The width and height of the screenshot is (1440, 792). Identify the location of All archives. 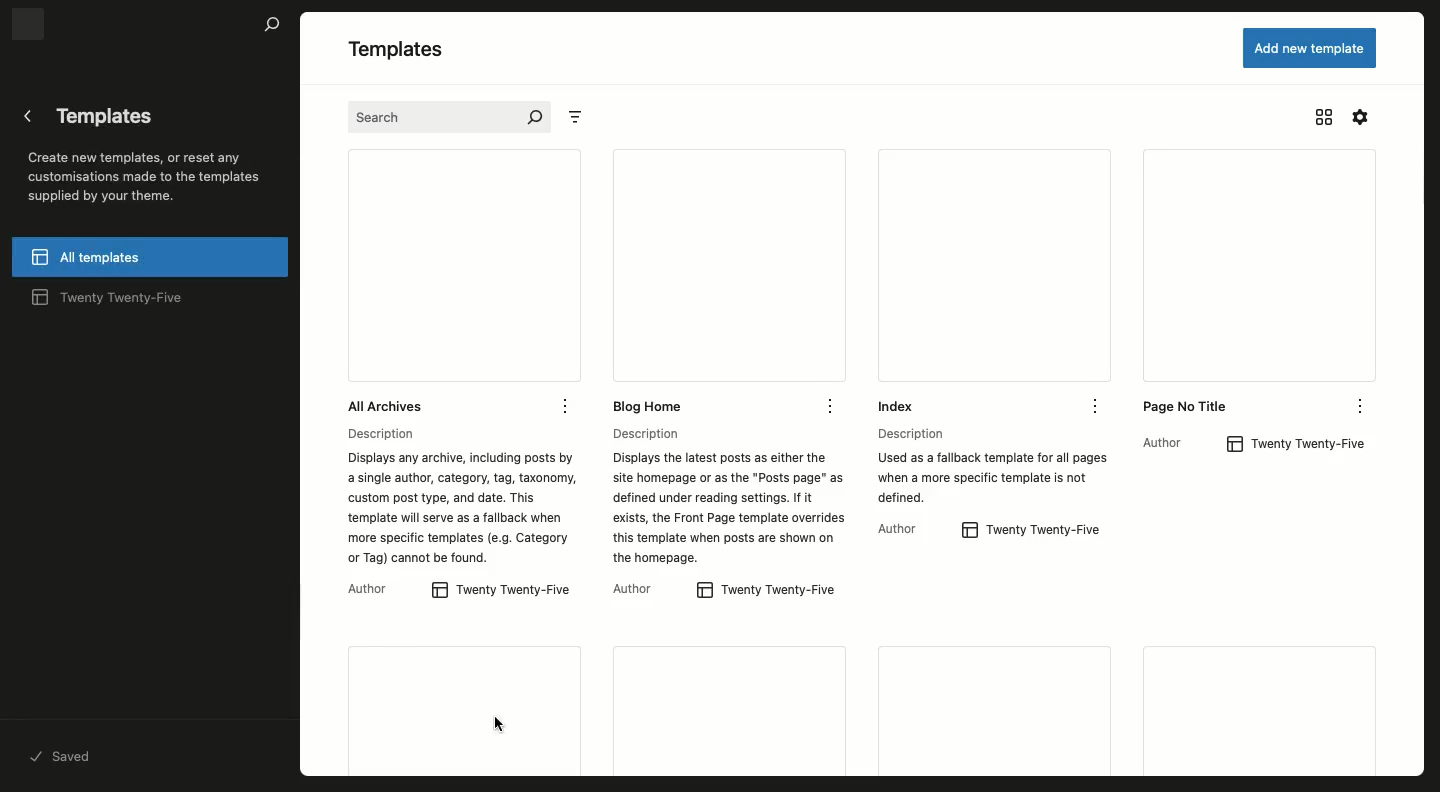
(391, 407).